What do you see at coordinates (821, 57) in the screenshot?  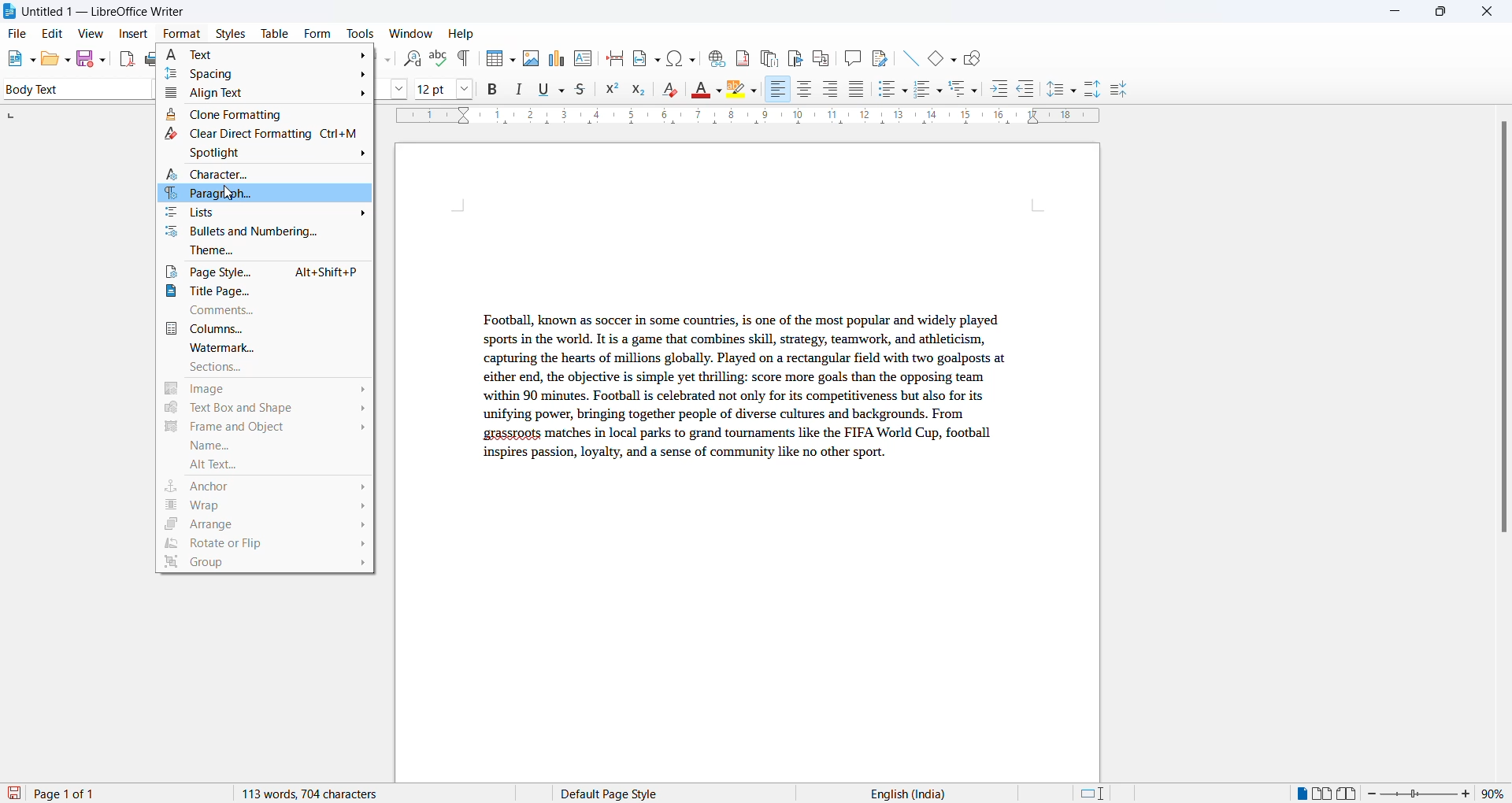 I see `show track changes function` at bounding box center [821, 57].